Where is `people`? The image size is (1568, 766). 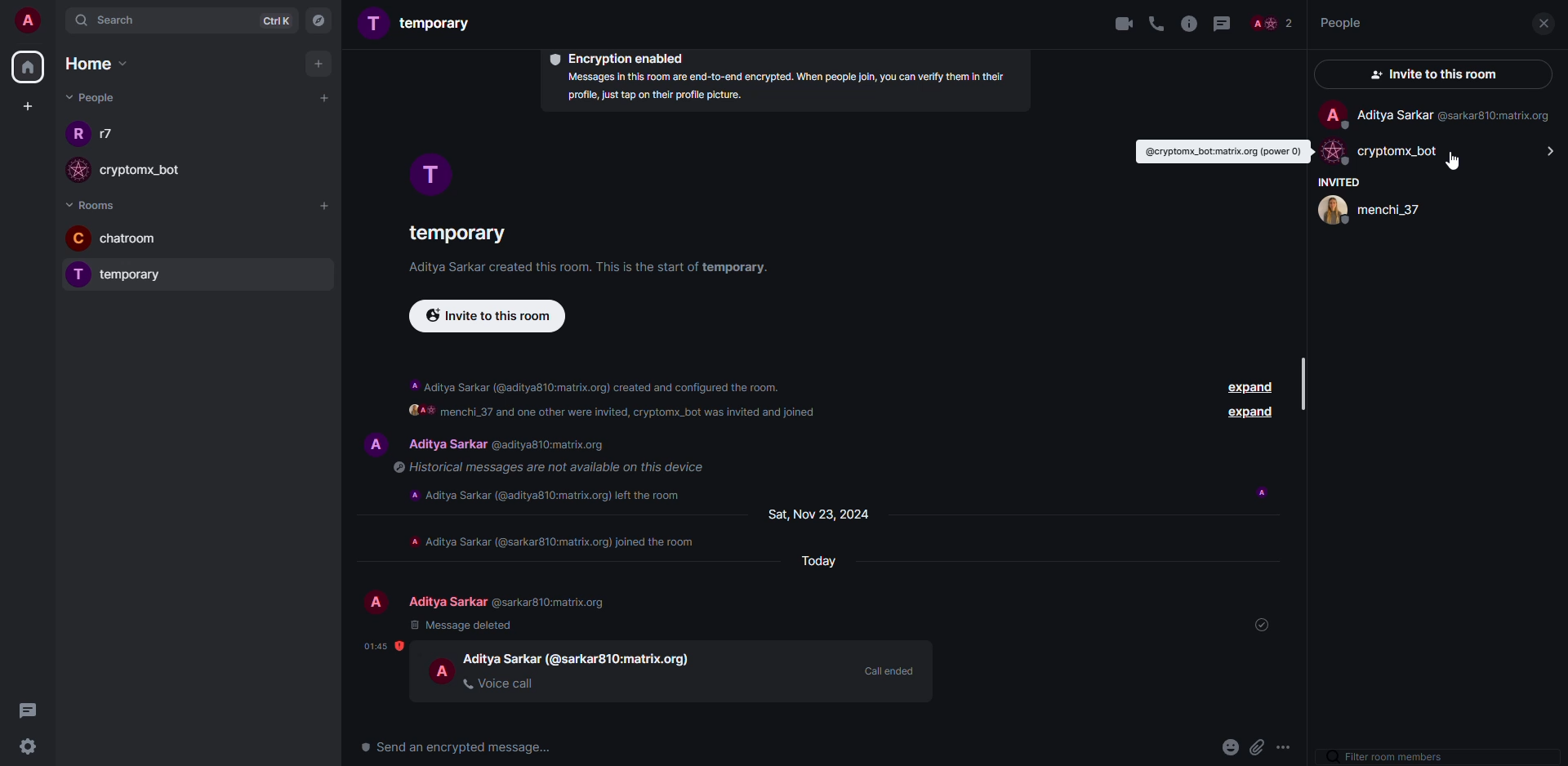 people is located at coordinates (1531, 54).